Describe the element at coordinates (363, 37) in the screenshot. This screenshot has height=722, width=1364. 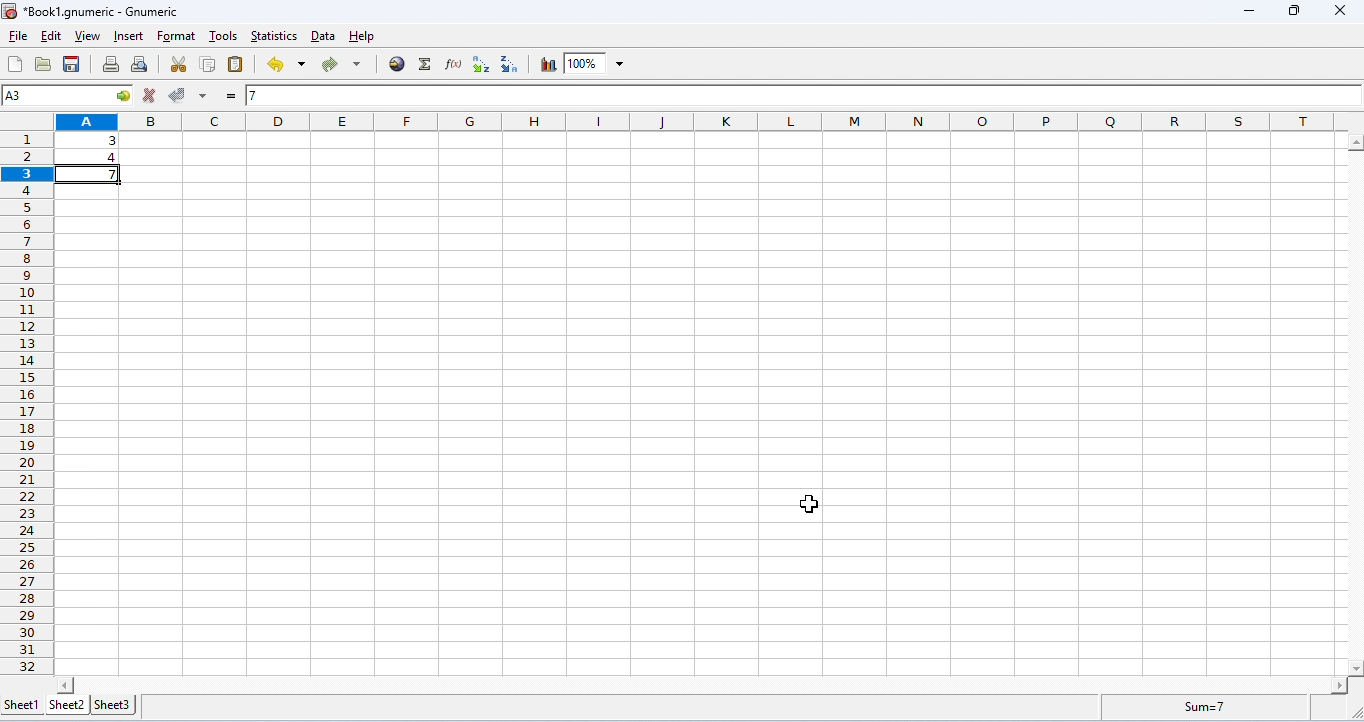
I see `help` at that location.